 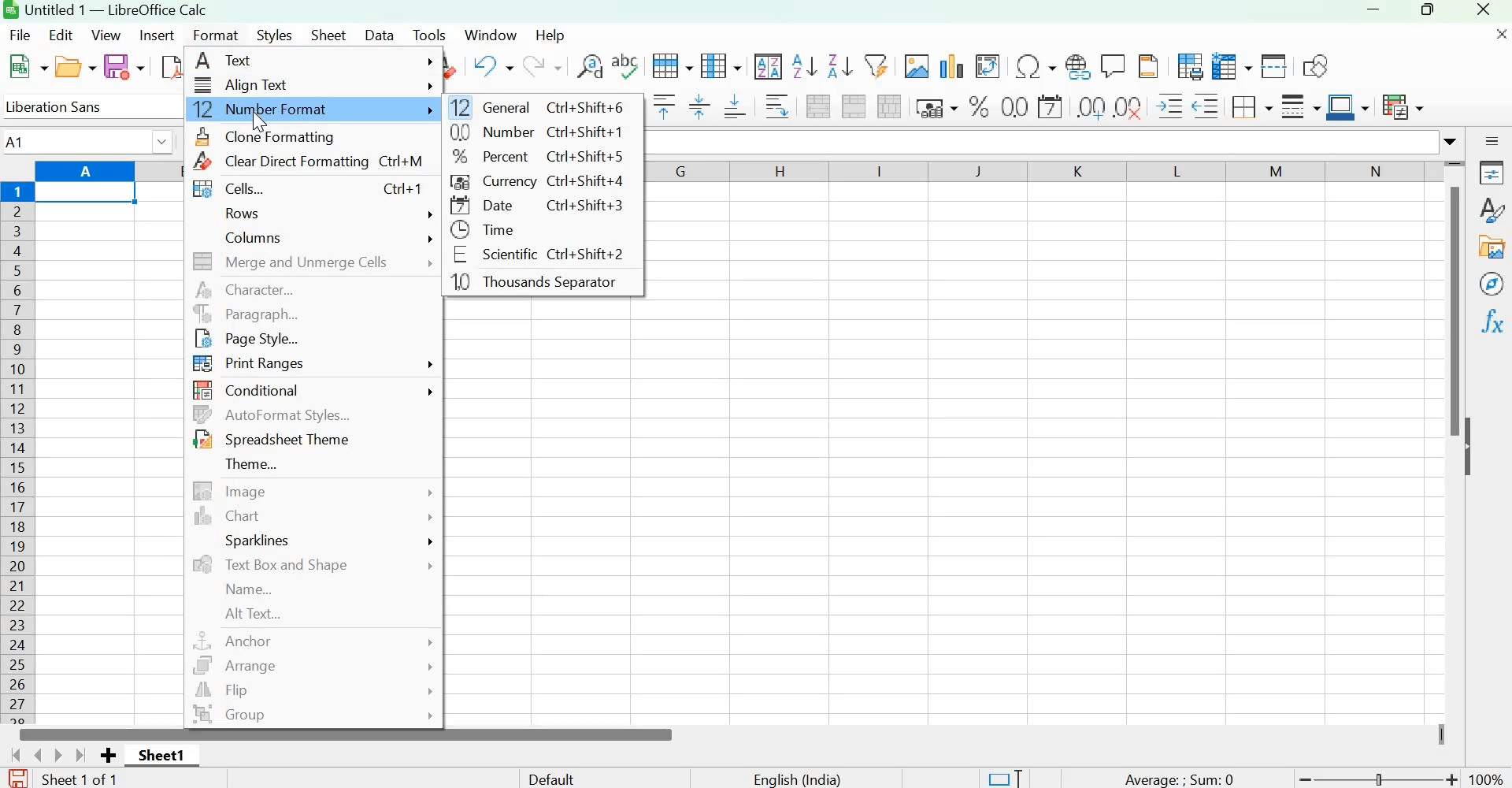 What do you see at coordinates (254, 292) in the screenshot?
I see `Character` at bounding box center [254, 292].